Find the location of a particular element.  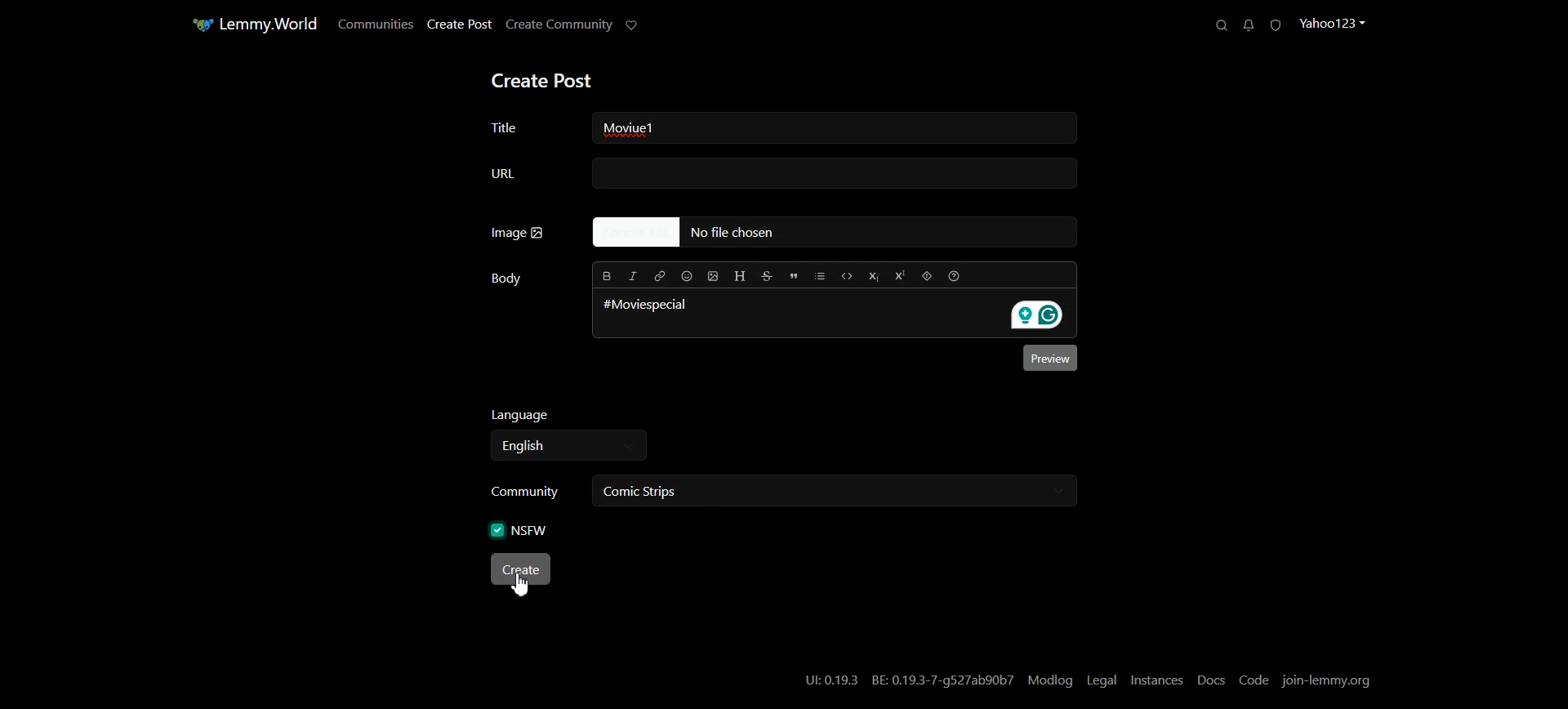

Join-lemmy.org is located at coordinates (1329, 680).